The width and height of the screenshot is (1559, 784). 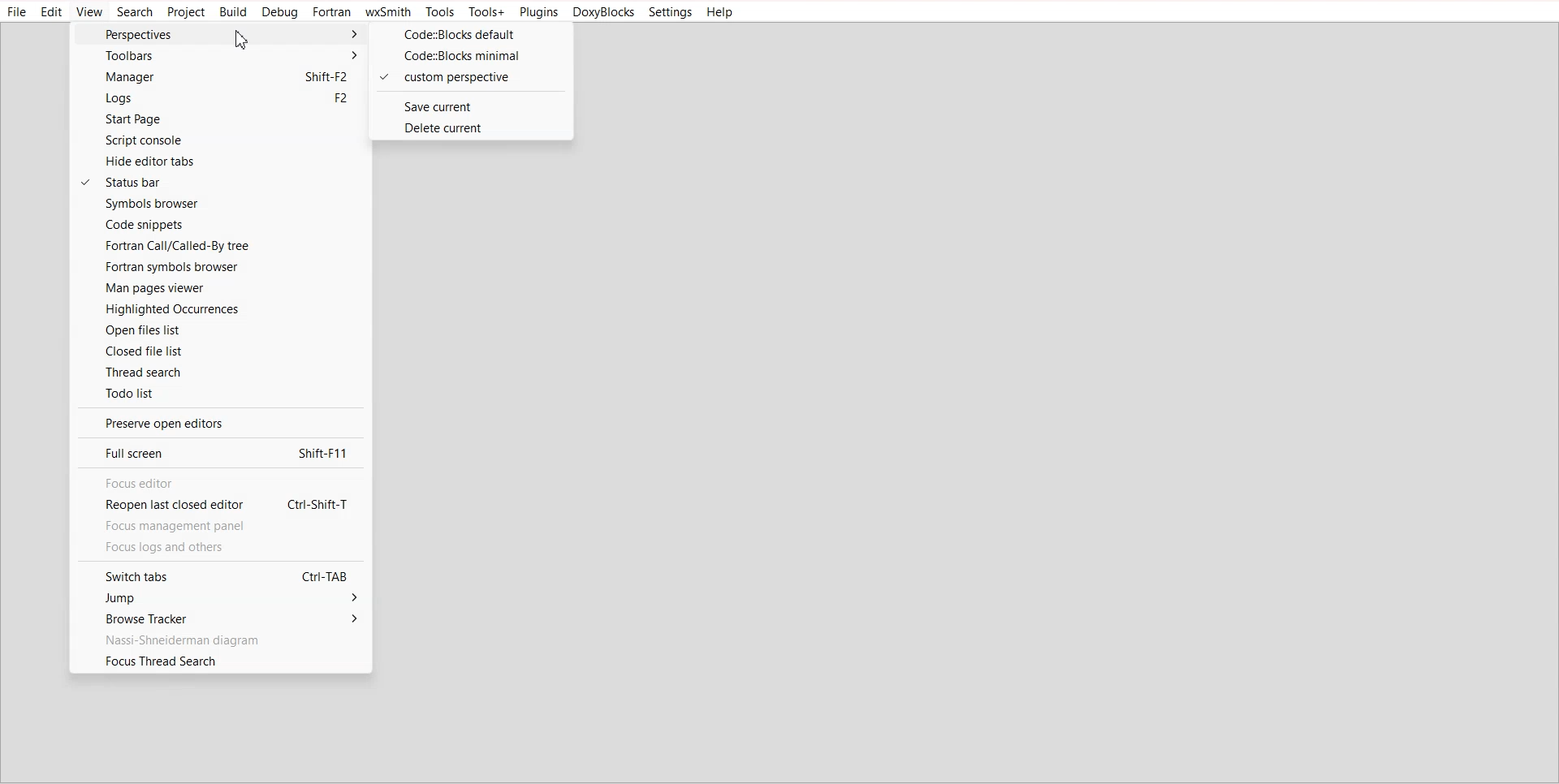 What do you see at coordinates (604, 13) in the screenshot?
I see `DoxyBlocks` at bounding box center [604, 13].